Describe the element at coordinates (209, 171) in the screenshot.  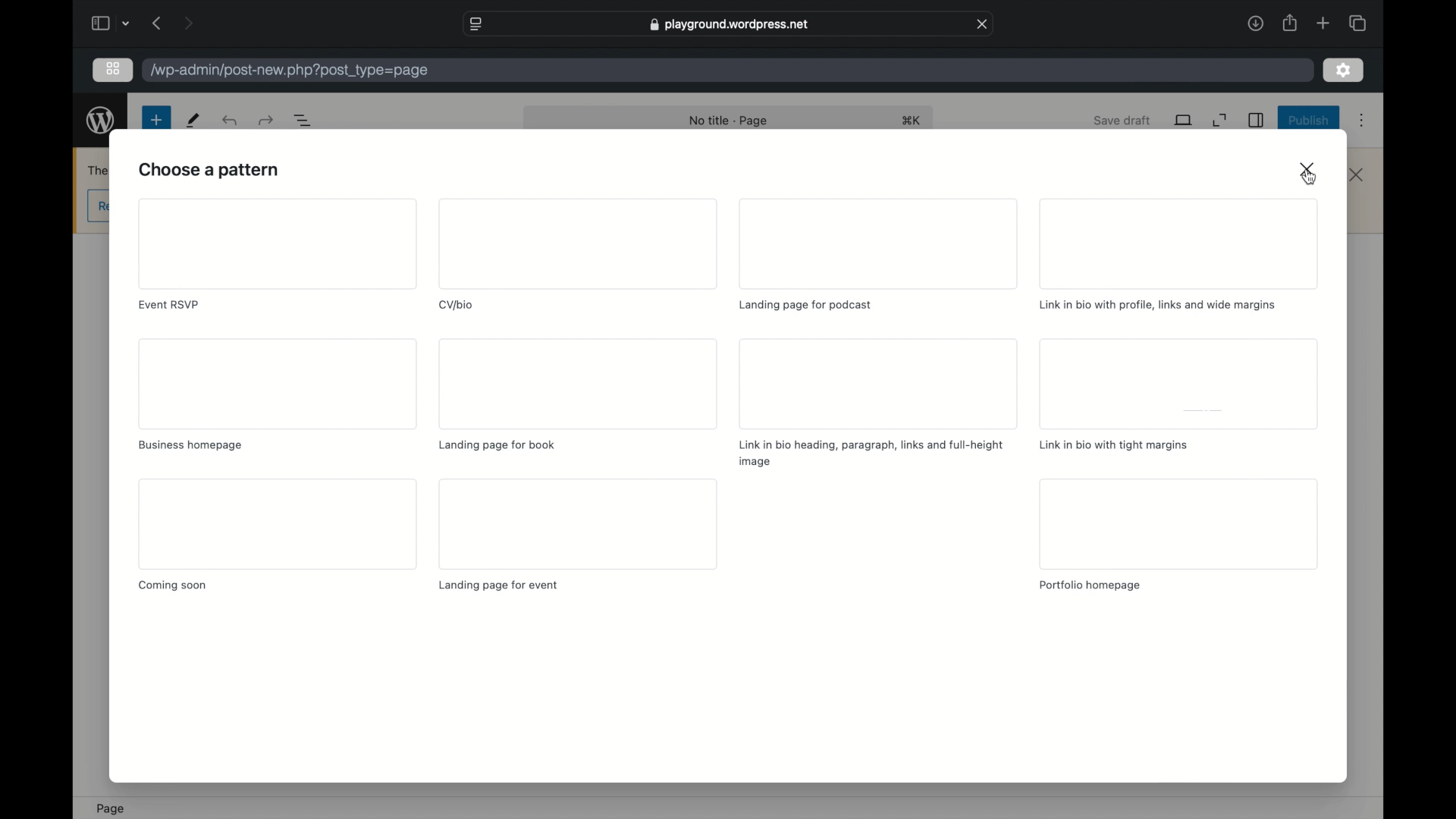
I see `choose pattern` at that location.